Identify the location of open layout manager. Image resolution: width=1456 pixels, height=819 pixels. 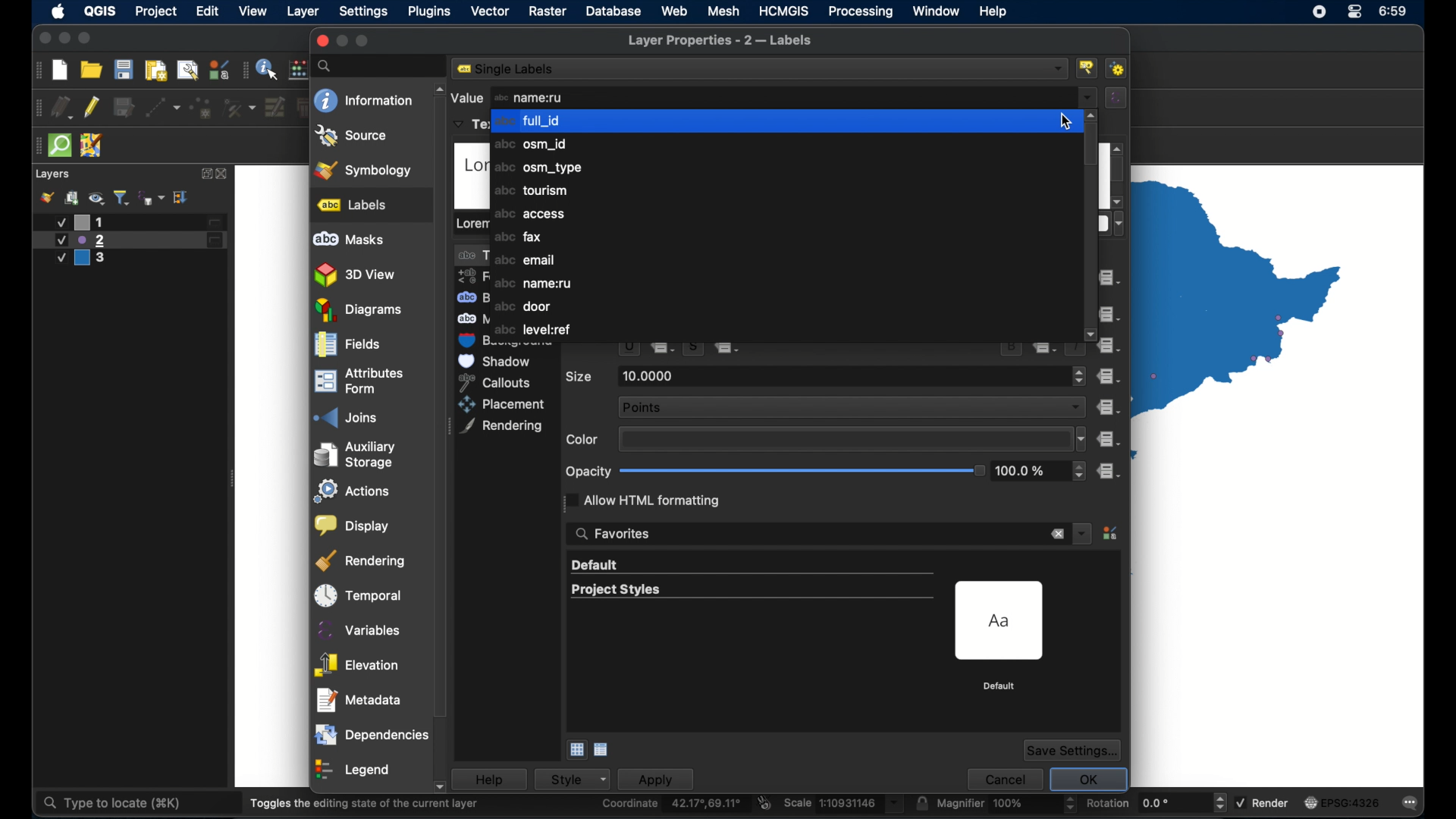
(187, 71).